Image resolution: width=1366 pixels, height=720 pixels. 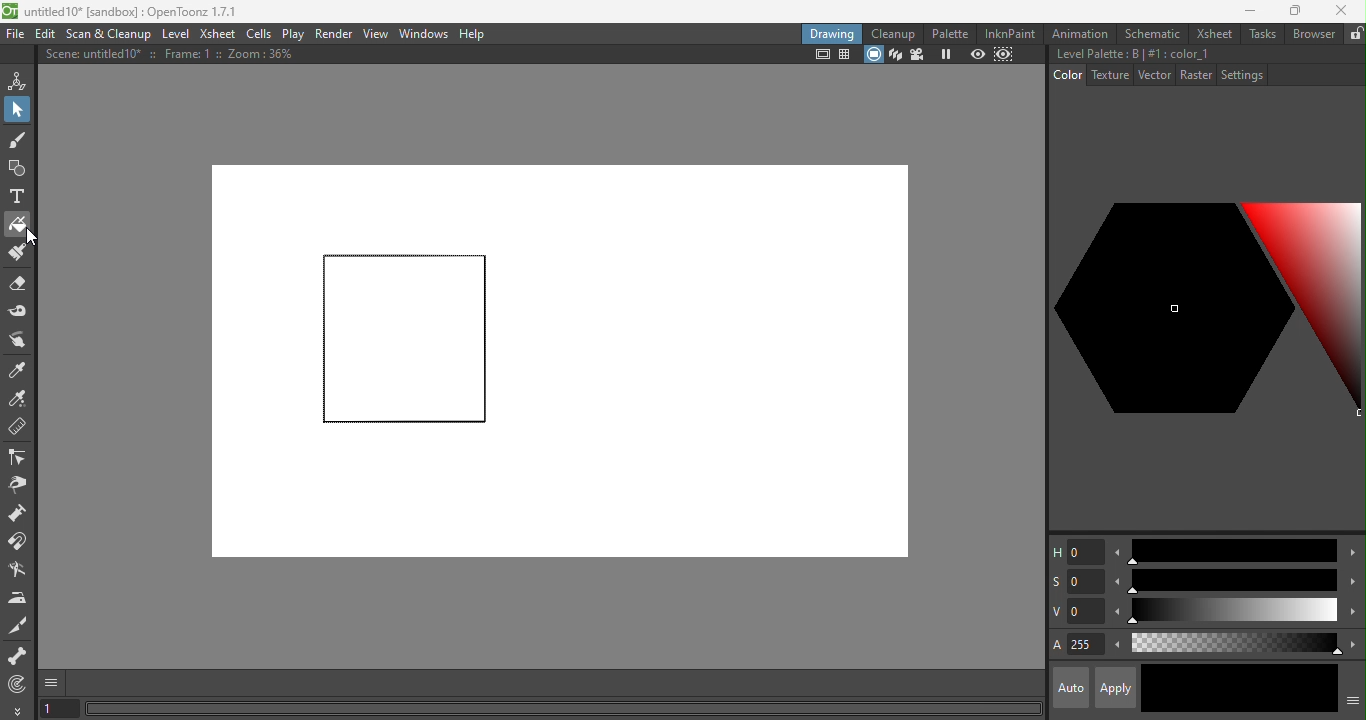 What do you see at coordinates (1006, 54) in the screenshot?
I see `Sub-camera view` at bounding box center [1006, 54].